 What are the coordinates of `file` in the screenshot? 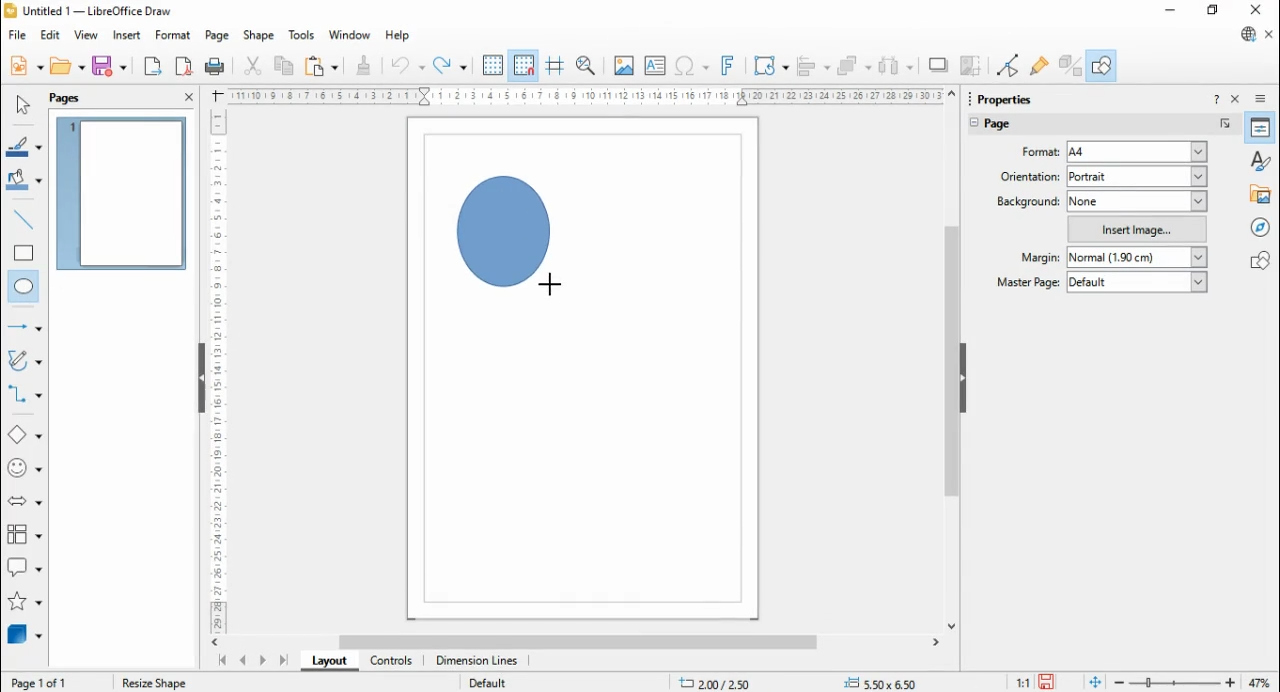 It's located at (19, 35).